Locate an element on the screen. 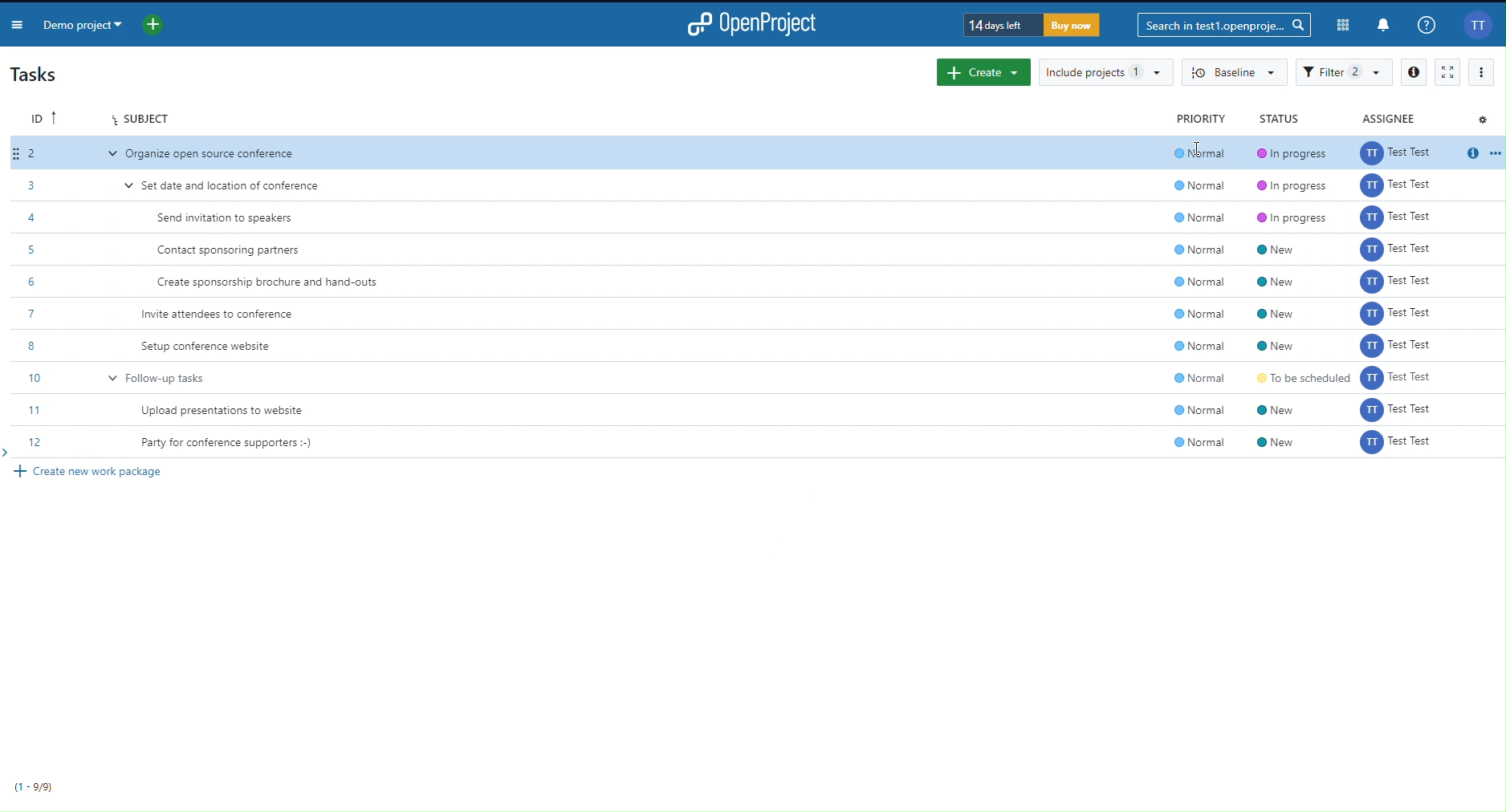 The width and height of the screenshot is (1506, 812). Status is located at coordinates (1278, 117).